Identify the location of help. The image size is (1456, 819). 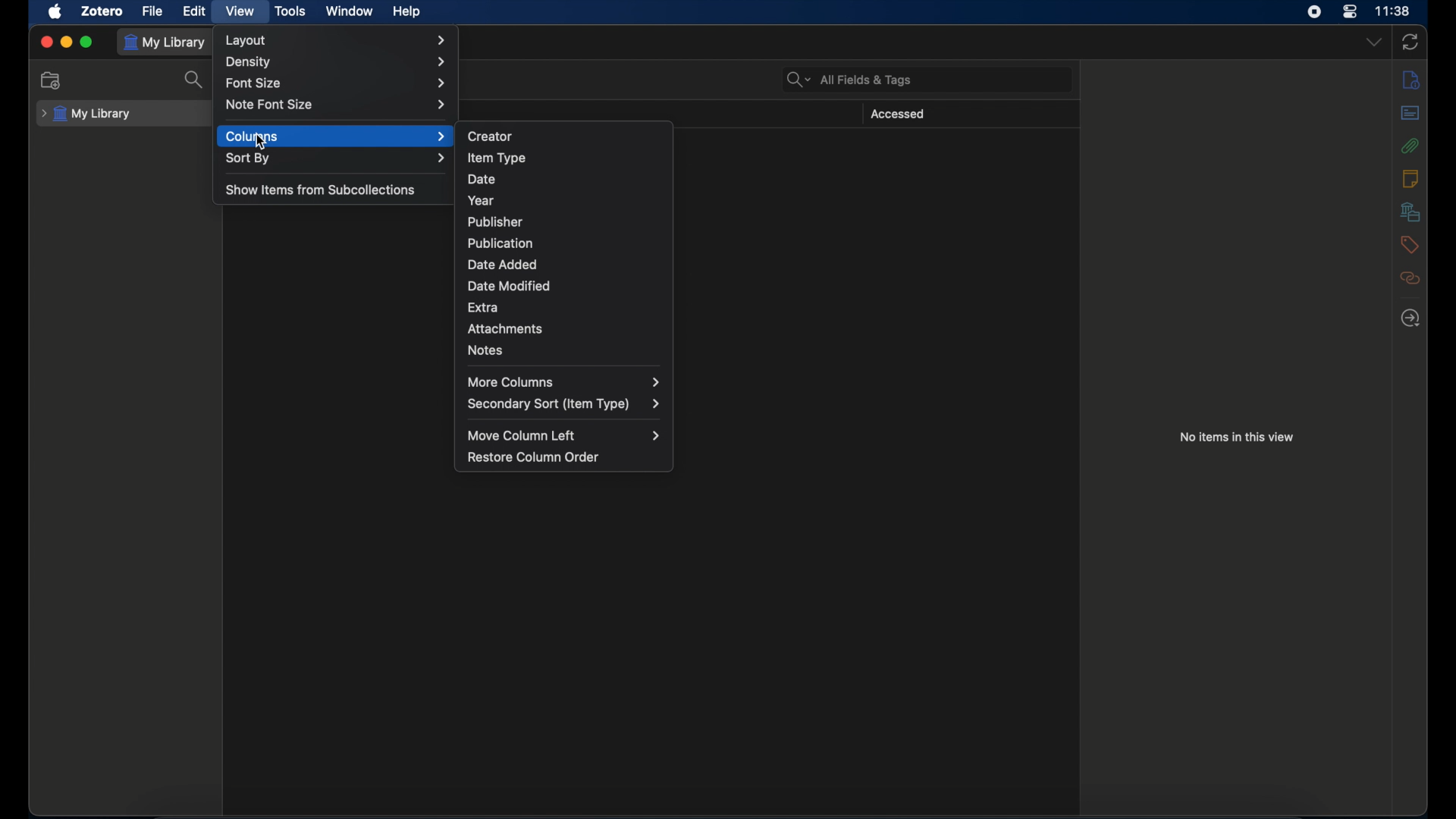
(408, 12).